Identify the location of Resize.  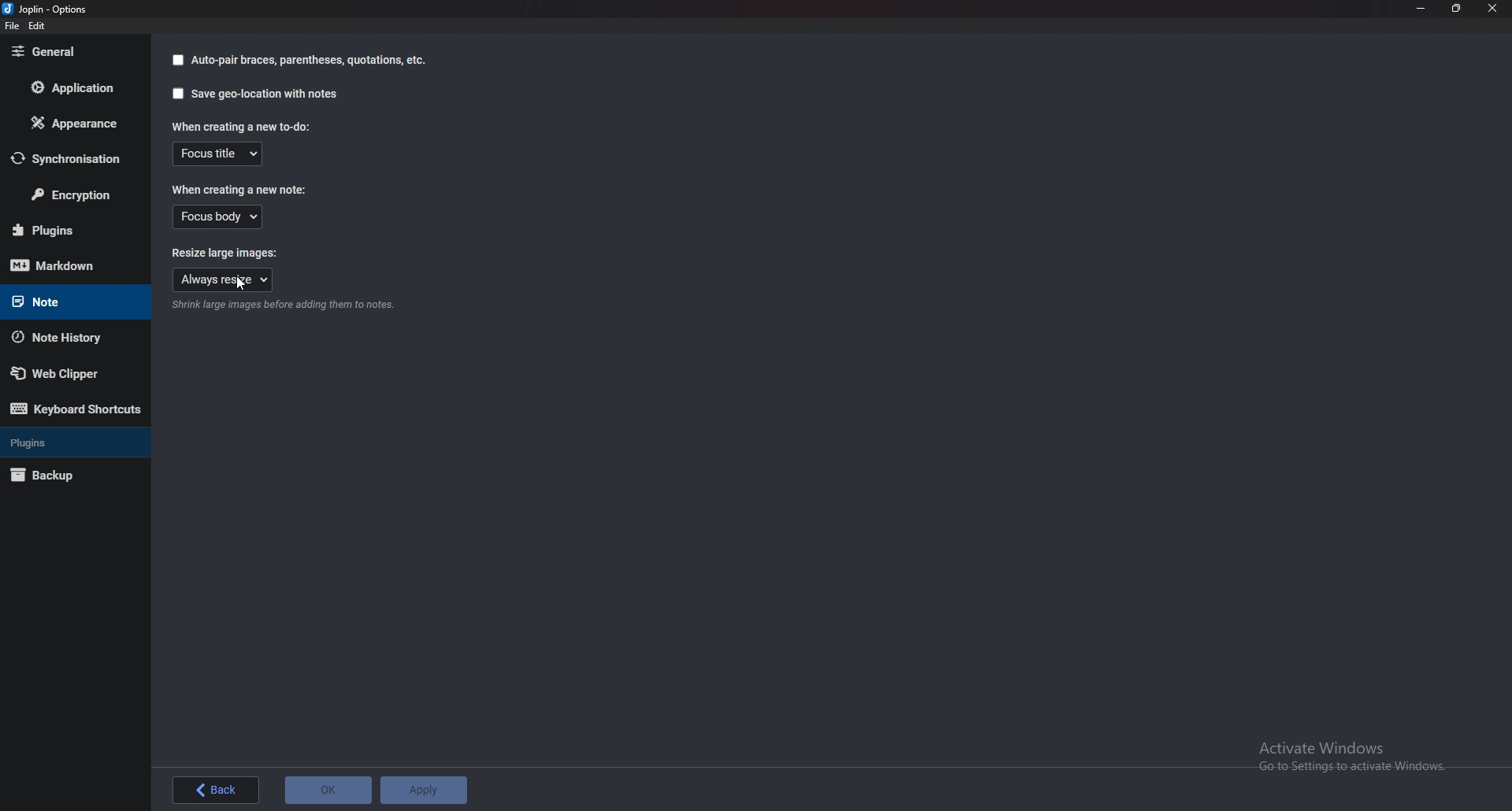
(1459, 9).